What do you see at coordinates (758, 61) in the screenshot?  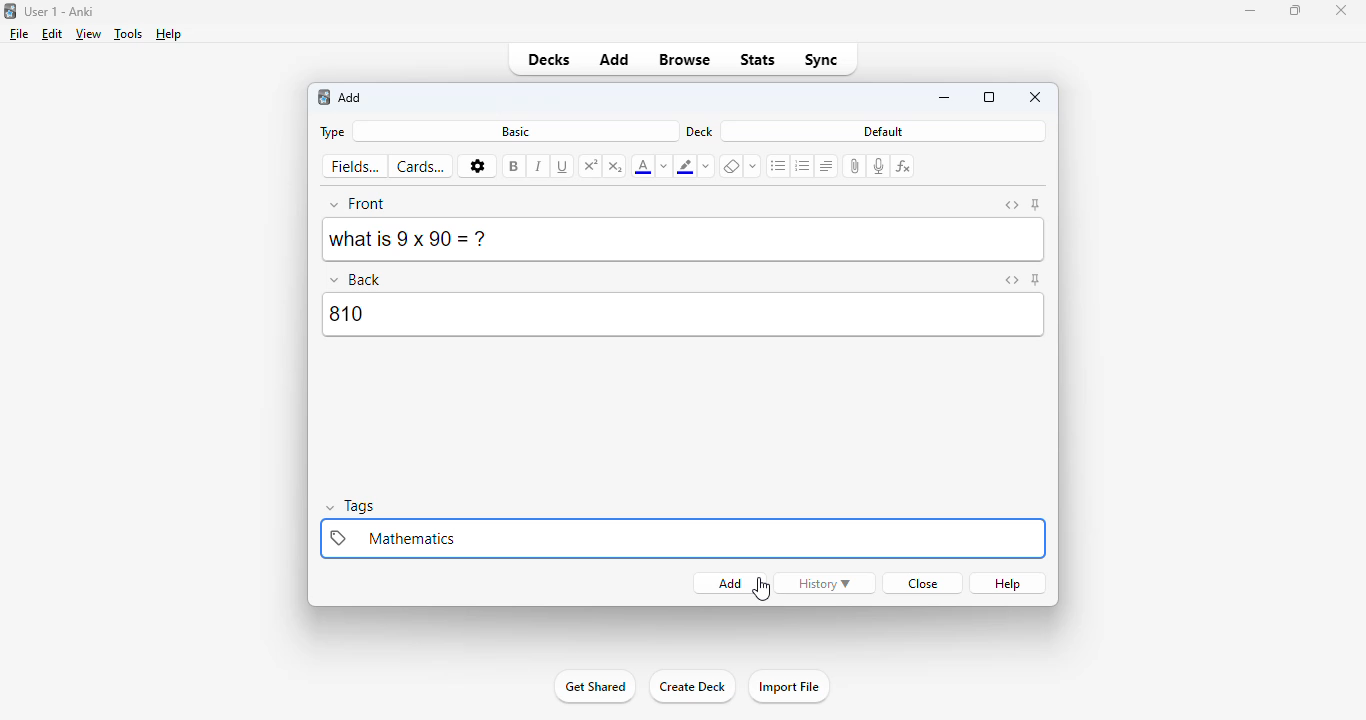 I see `stats` at bounding box center [758, 61].